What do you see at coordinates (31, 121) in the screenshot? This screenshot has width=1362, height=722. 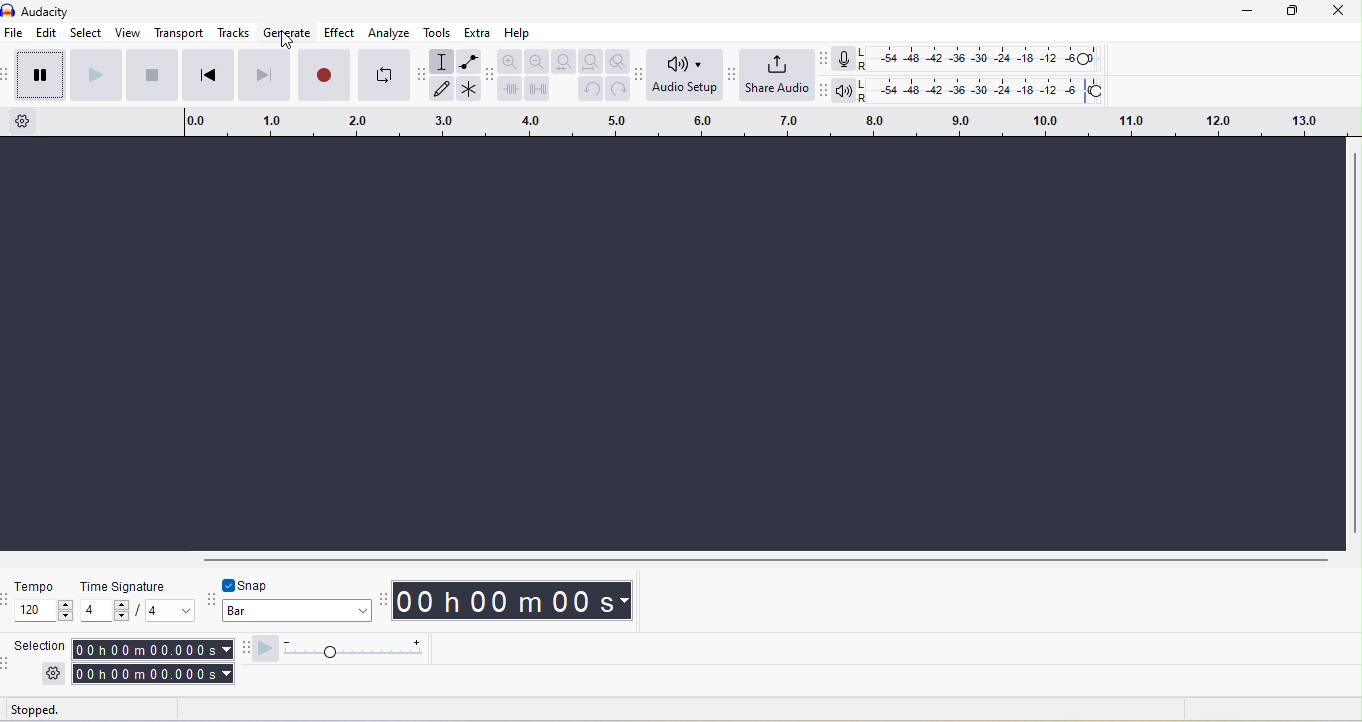 I see `timeline option` at bounding box center [31, 121].